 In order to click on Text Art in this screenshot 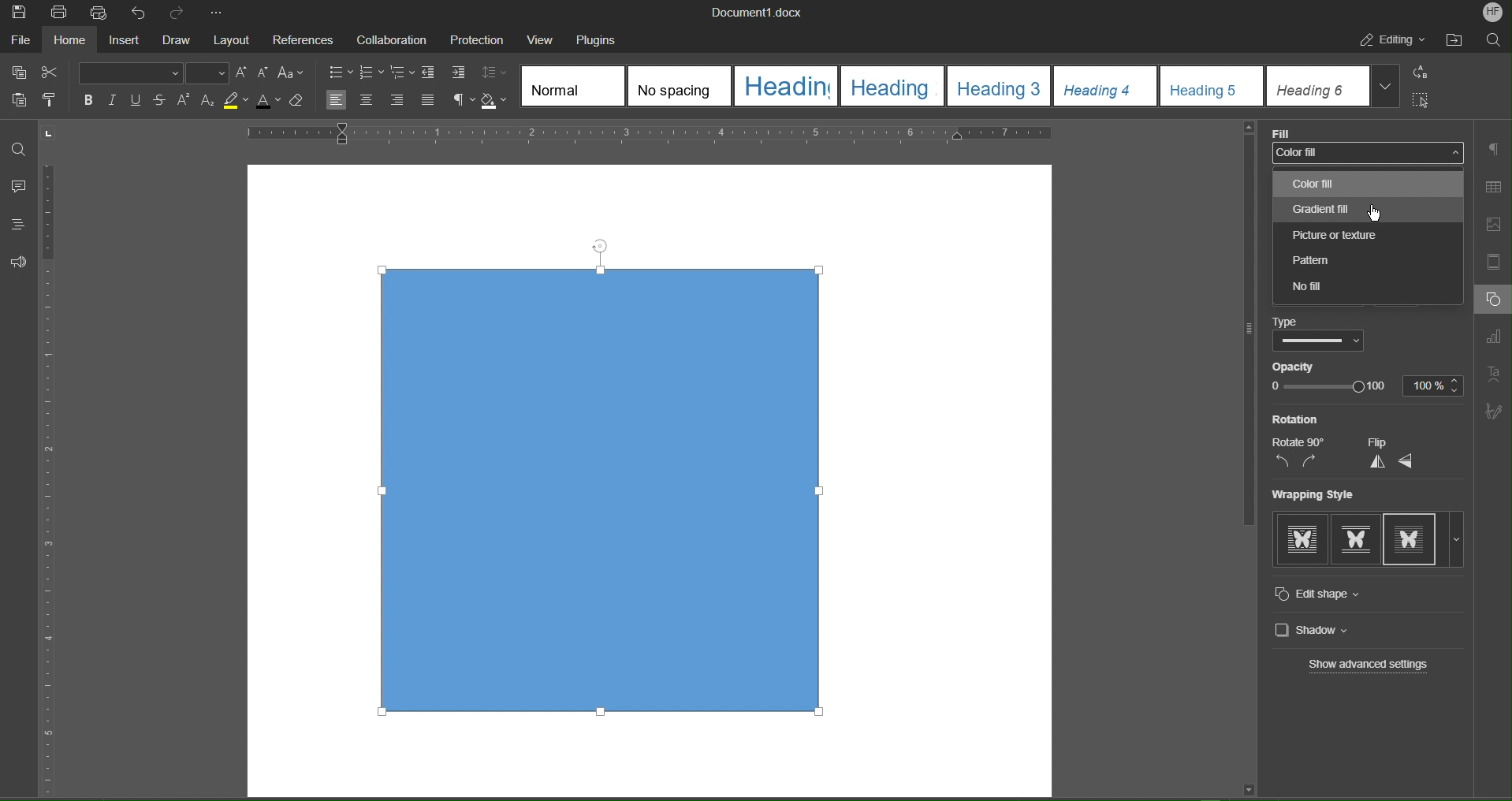, I will do `click(1496, 371)`.